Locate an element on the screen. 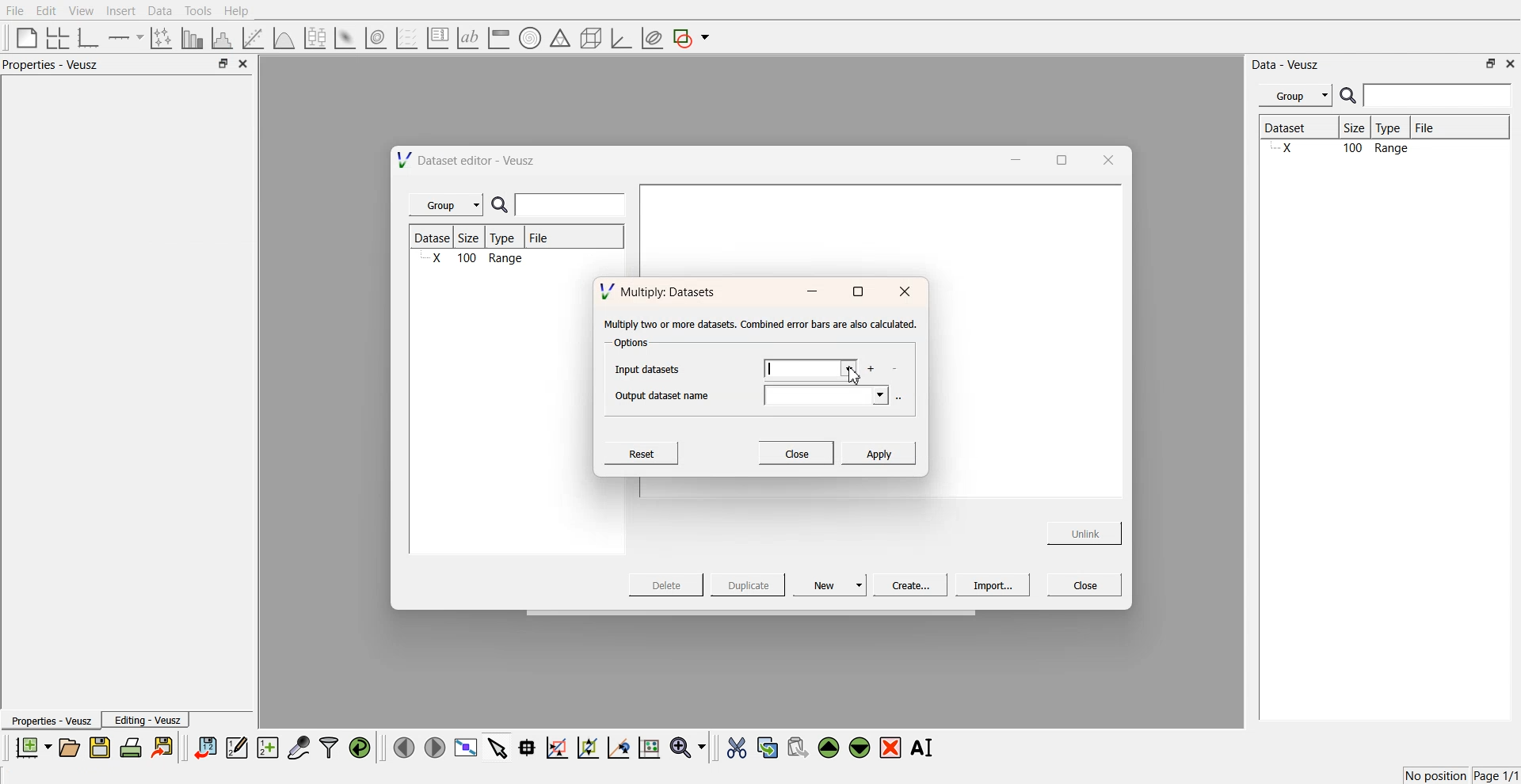  Unlink is located at coordinates (1085, 531).